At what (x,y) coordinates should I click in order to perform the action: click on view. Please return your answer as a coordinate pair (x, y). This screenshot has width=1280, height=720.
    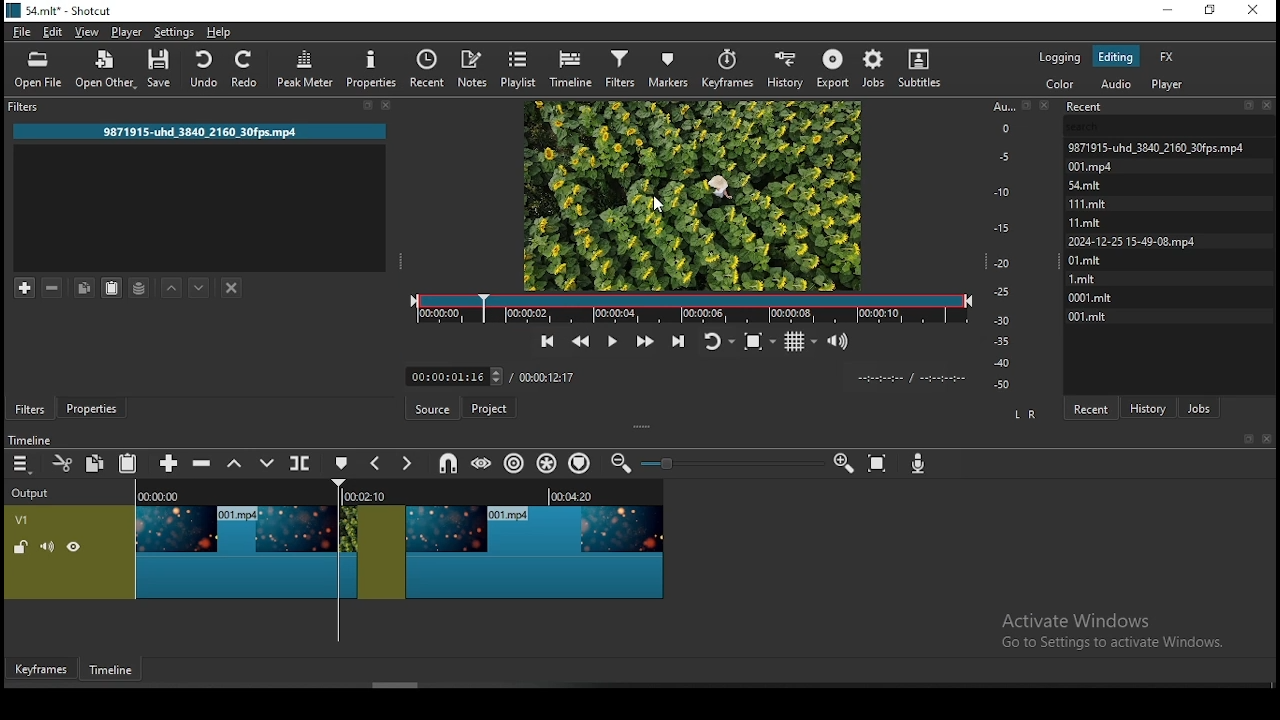
    Looking at the image, I should click on (87, 33).